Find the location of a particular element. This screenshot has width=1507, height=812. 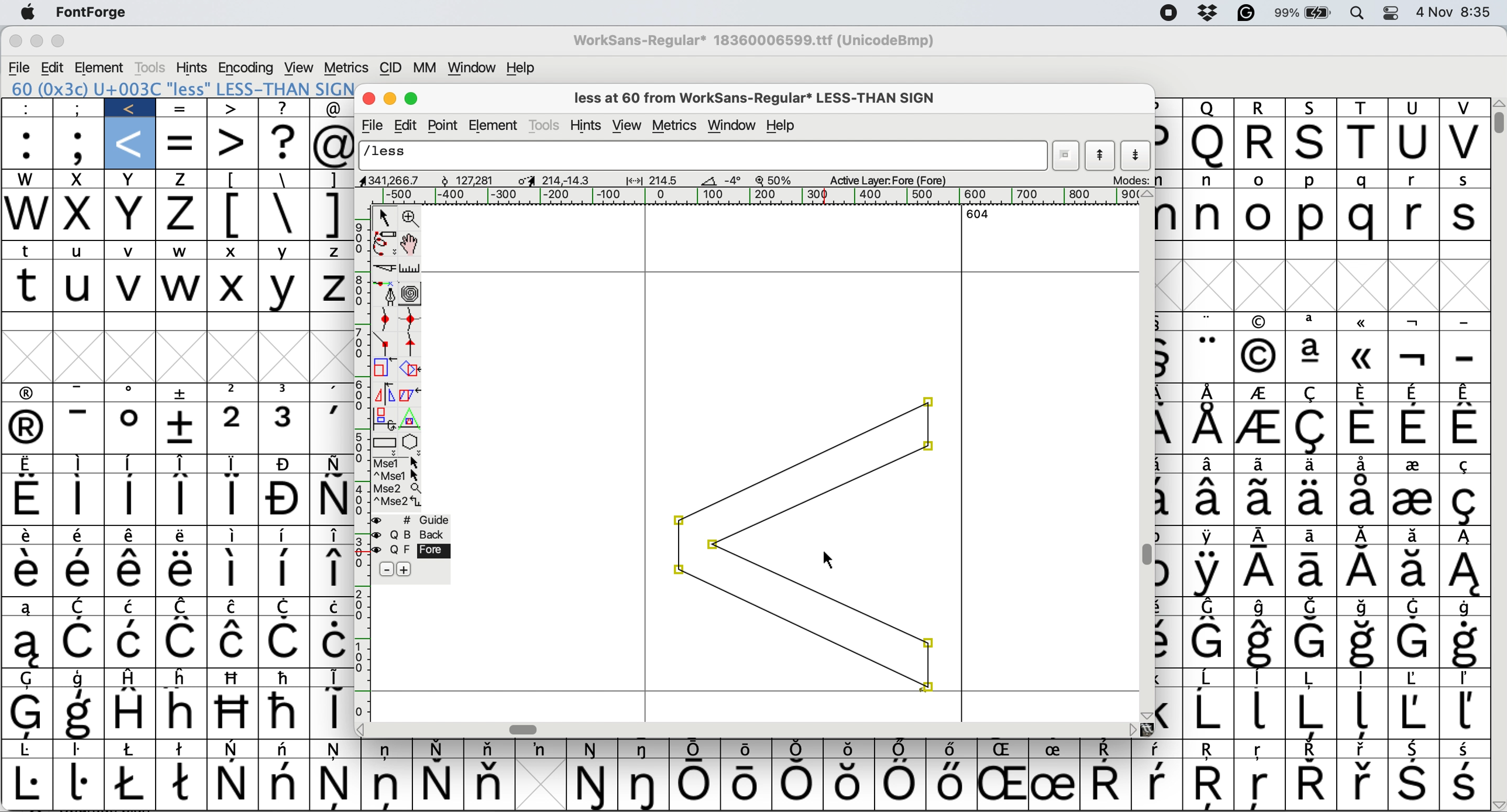

encoding is located at coordinates (247, 67).